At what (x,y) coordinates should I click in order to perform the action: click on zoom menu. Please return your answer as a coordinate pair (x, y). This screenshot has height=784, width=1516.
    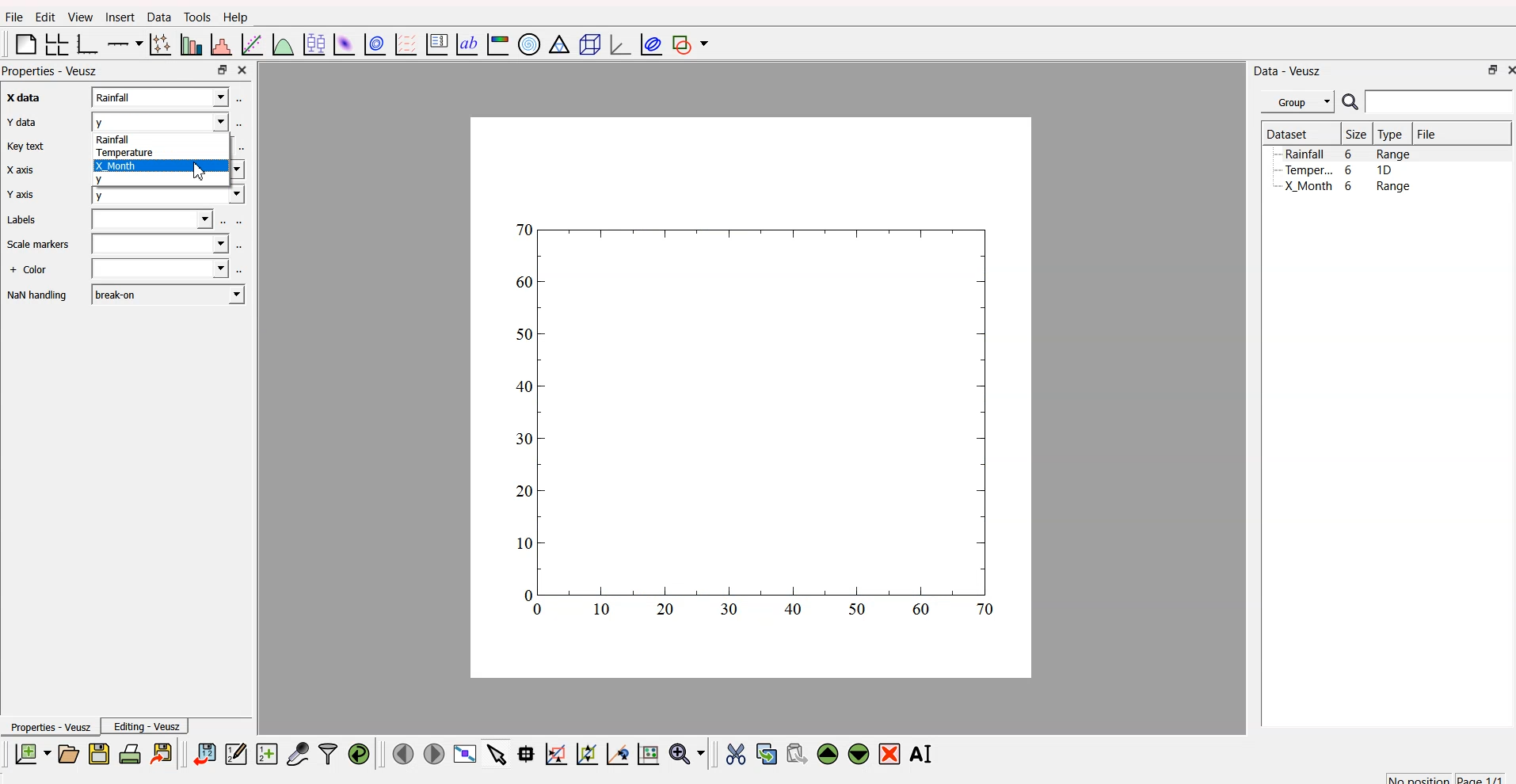
    Looking at the image, I should click on (688, 752).